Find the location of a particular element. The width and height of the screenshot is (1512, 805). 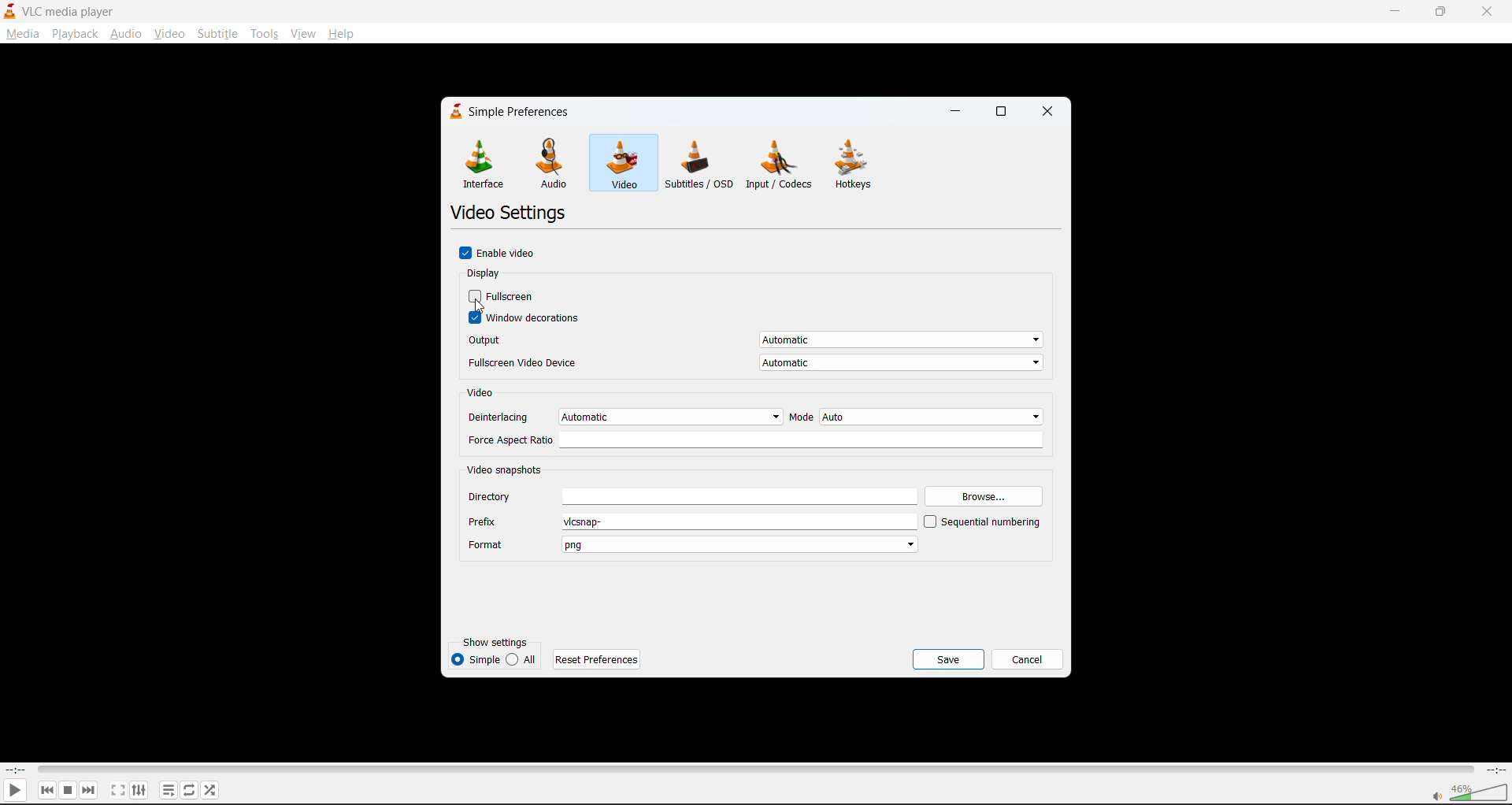

show settings is located at coordinates (495, 641).